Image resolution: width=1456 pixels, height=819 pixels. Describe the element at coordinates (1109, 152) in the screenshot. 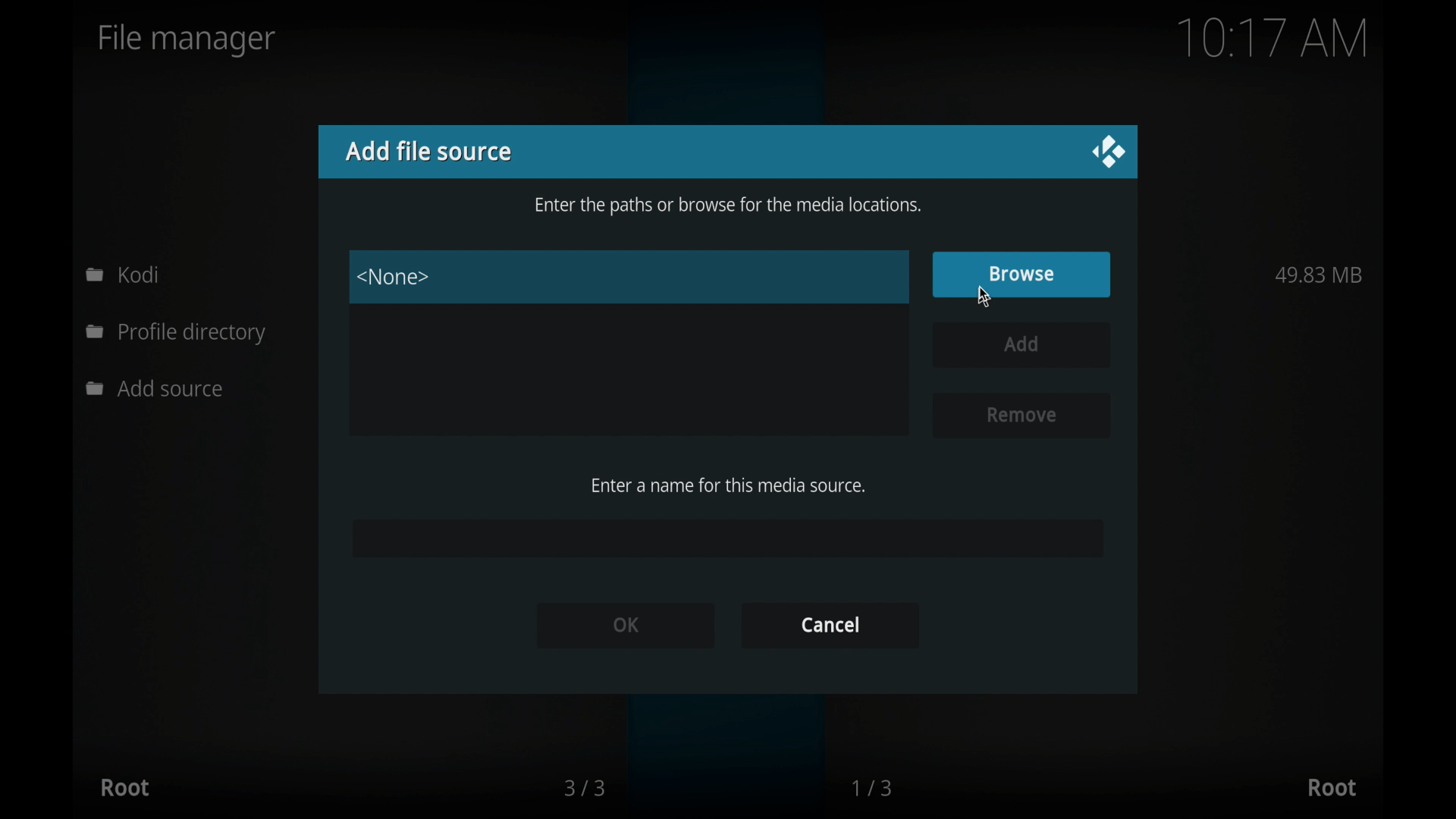

I see `close` at that location.